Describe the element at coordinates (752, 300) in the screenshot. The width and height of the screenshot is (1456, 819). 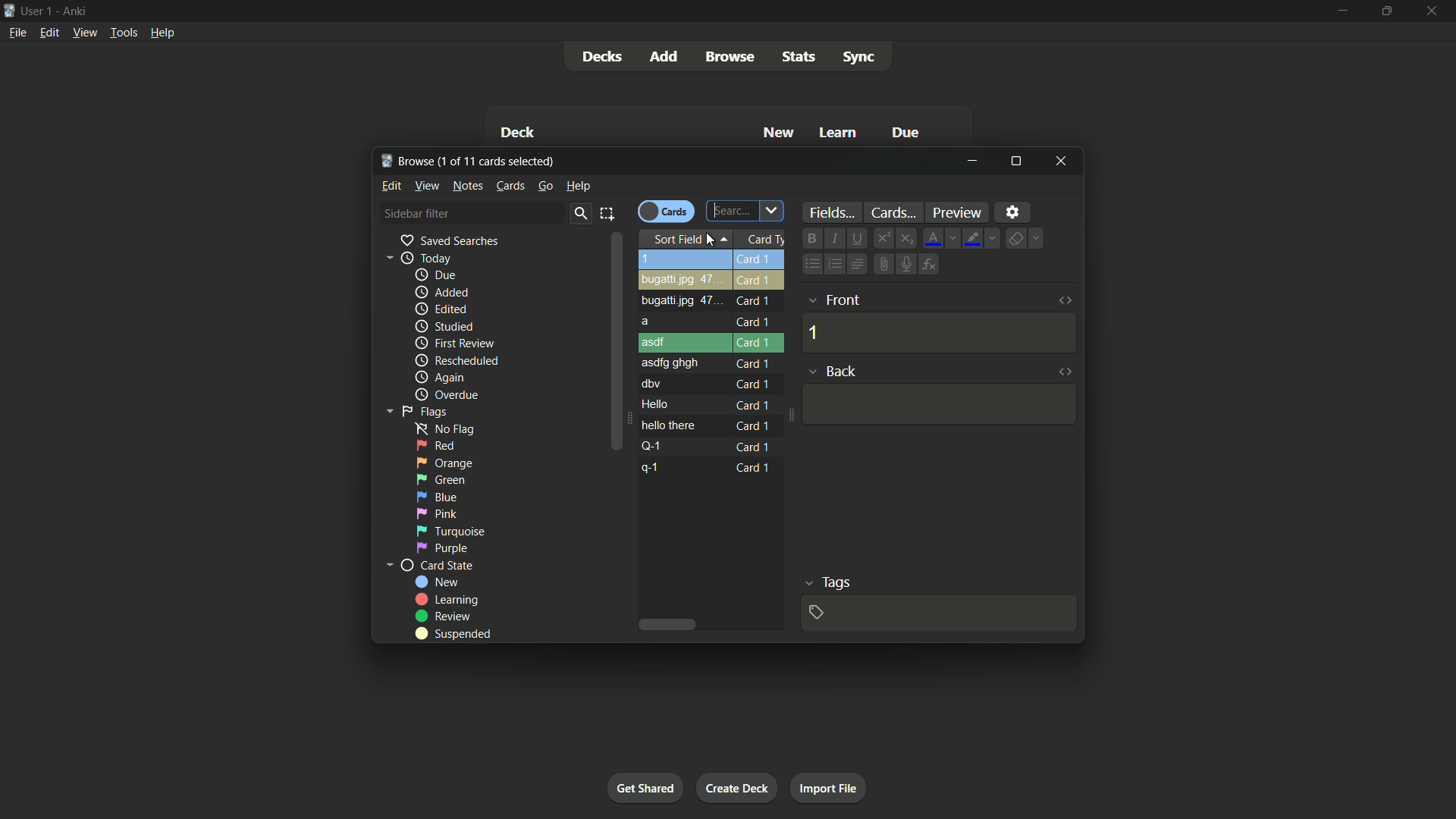
I see `card 1` at that location.